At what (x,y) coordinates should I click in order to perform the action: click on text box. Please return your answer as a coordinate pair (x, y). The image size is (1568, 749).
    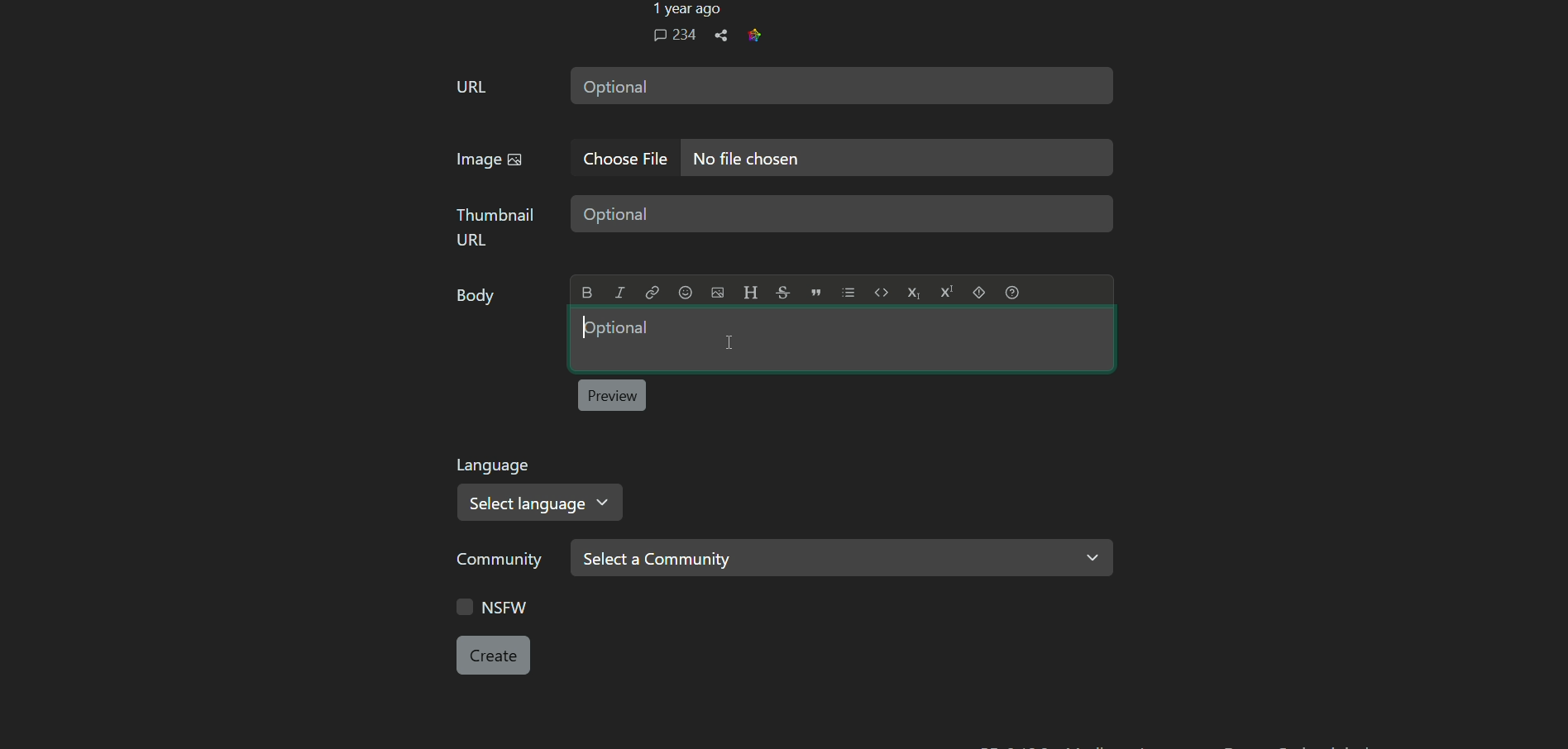
    Looking at the image, I should click on (846, 215).